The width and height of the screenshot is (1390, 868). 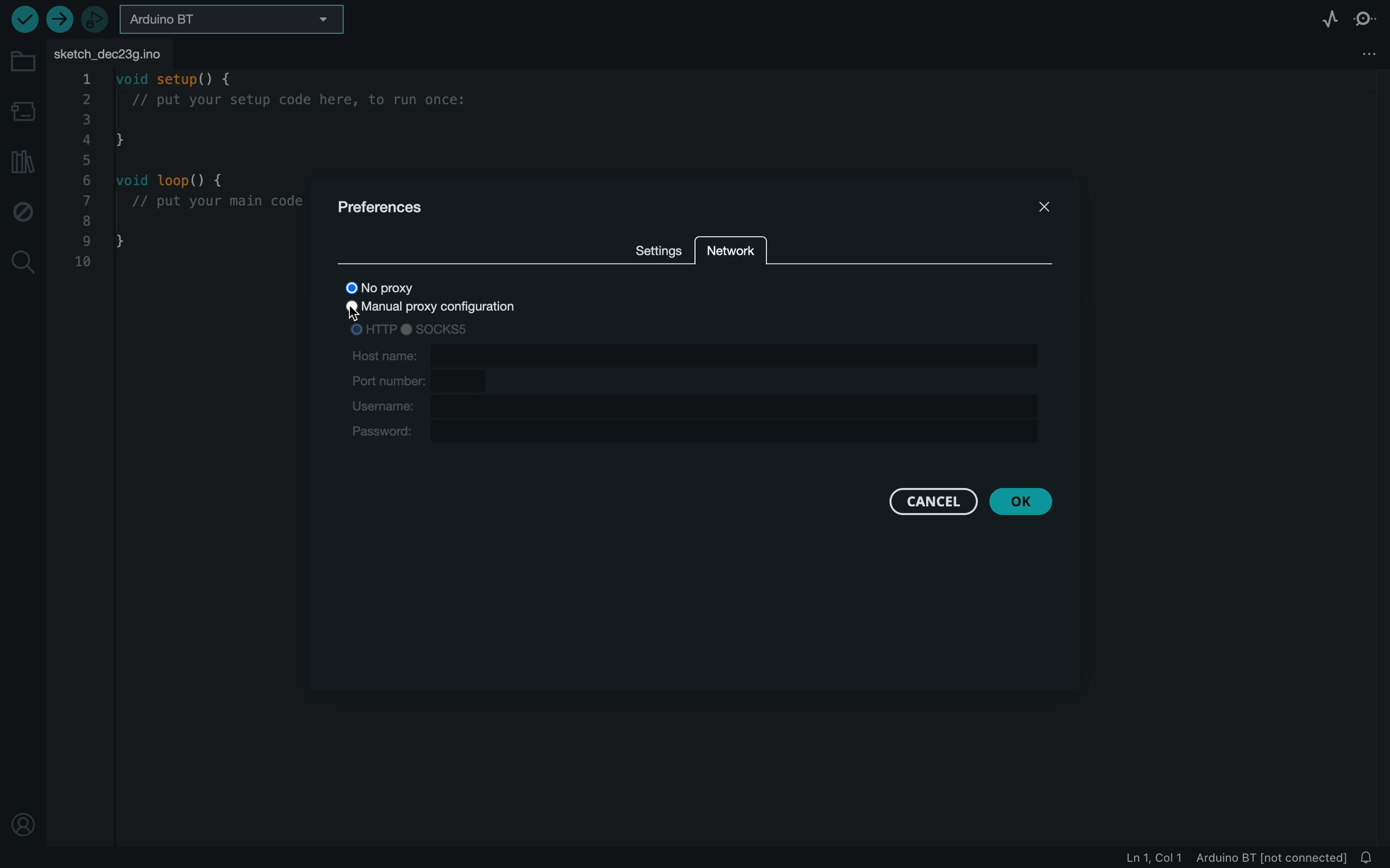 What do you see at coordinates (689, 356) in the screenshot?
I see `host name` at bounding box center [689, 356].